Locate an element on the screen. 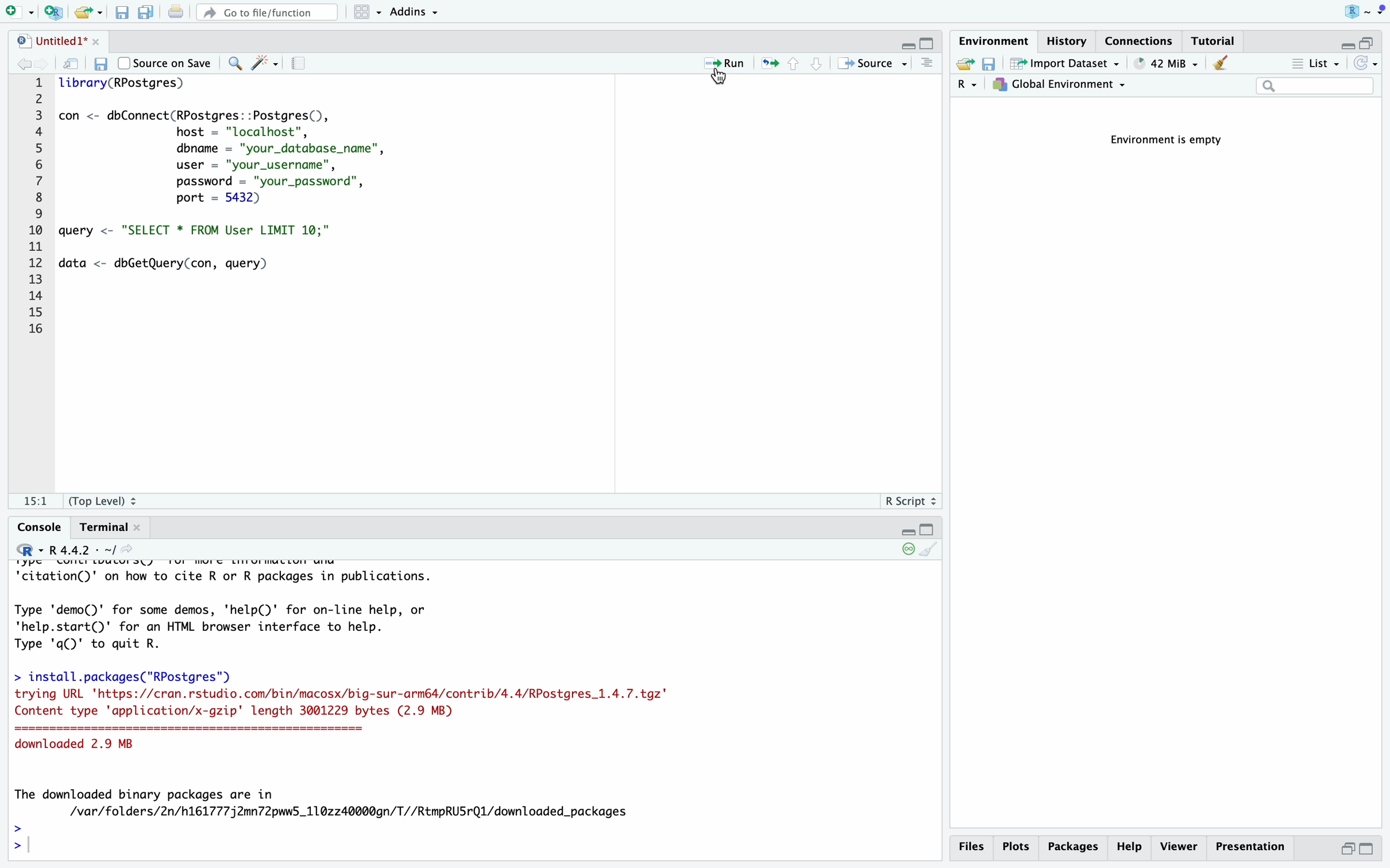  R script is located at coordinates (912, 501).